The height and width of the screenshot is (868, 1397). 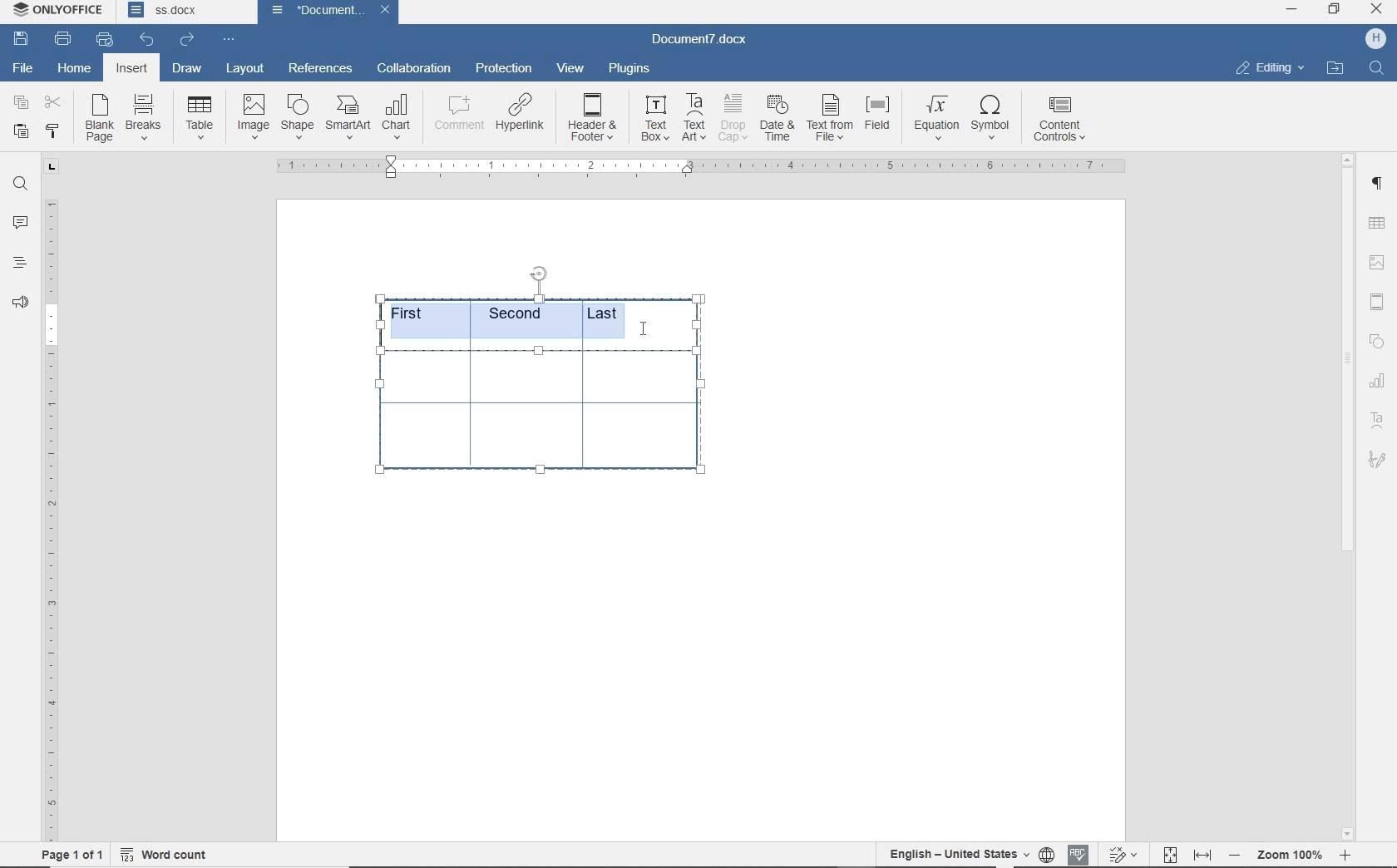 I want to click on fit to width, so click(x=1202, y=852).